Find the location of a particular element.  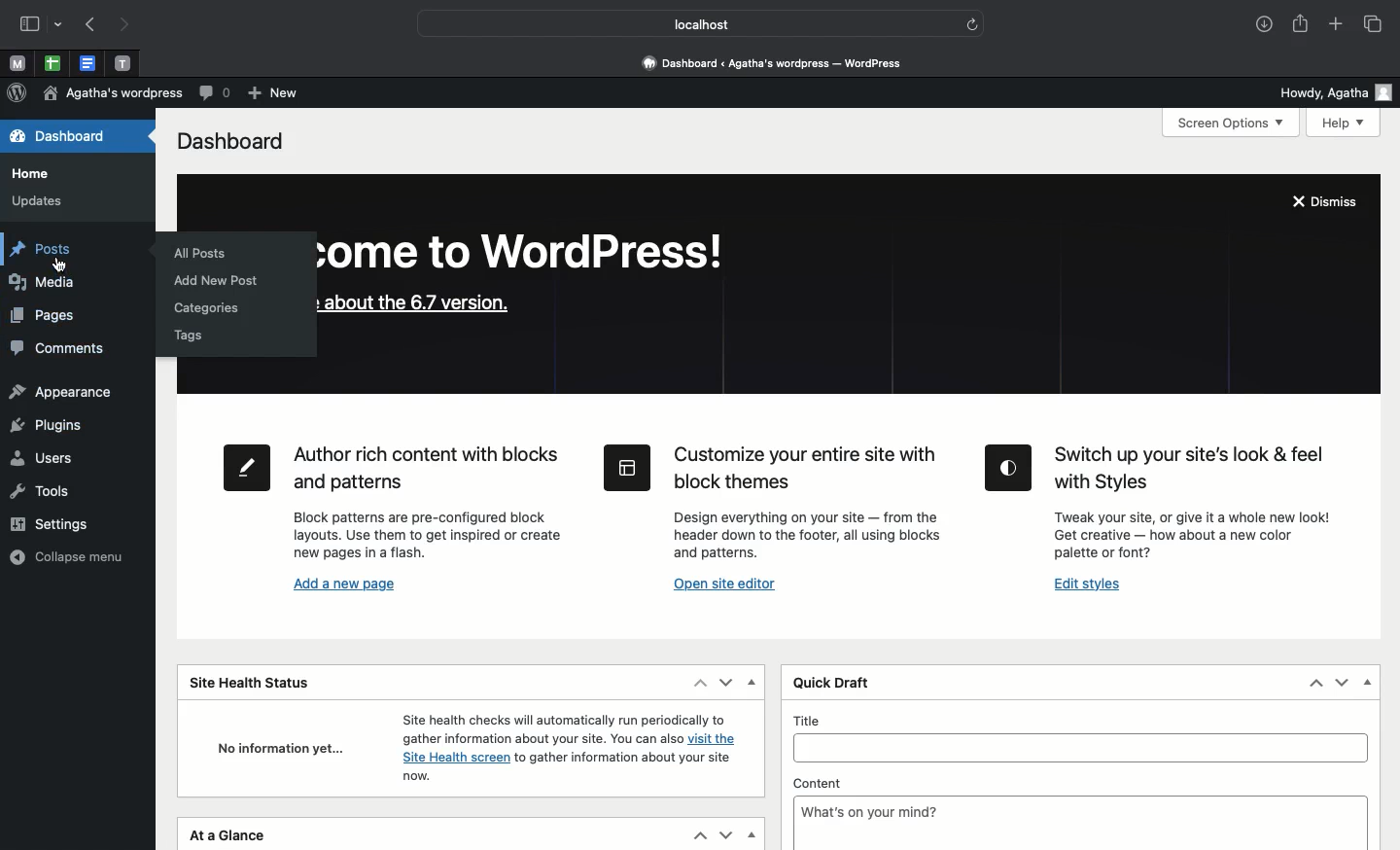

No information yet is located at coordinates (275, 748).